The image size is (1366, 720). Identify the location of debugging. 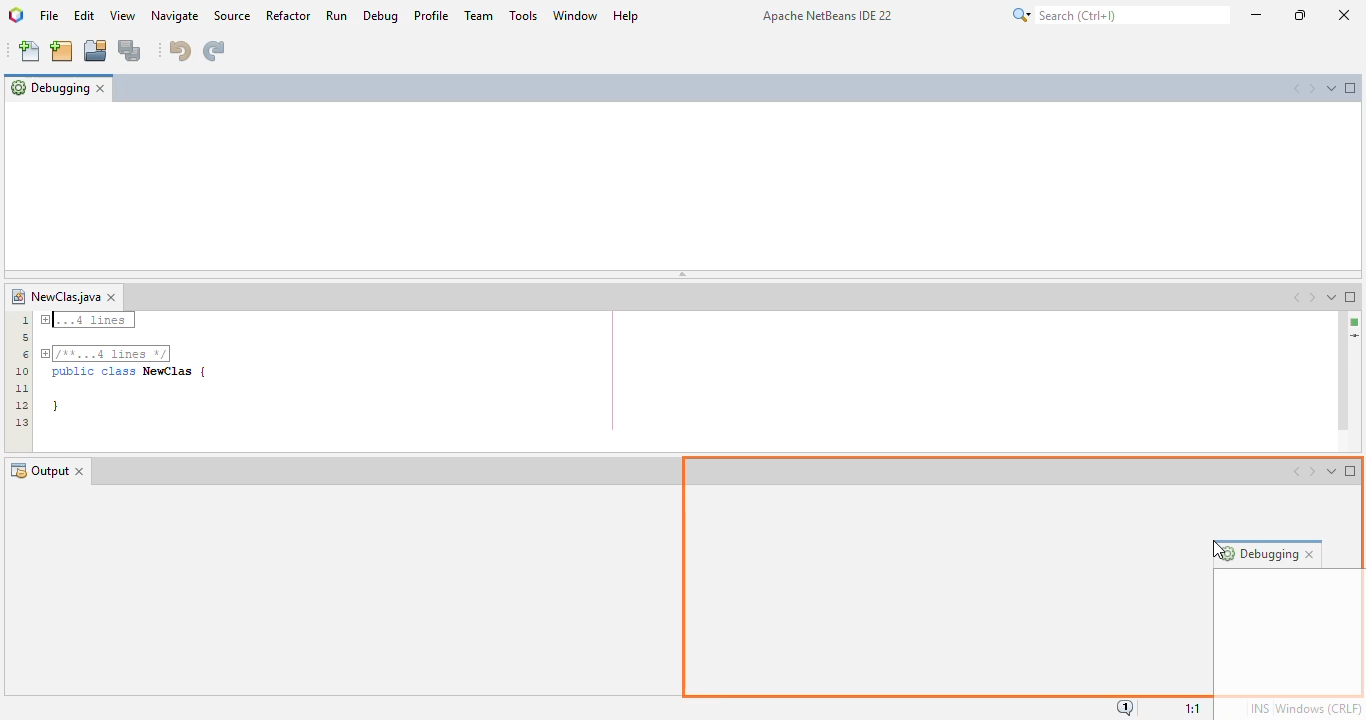
(49, 87).